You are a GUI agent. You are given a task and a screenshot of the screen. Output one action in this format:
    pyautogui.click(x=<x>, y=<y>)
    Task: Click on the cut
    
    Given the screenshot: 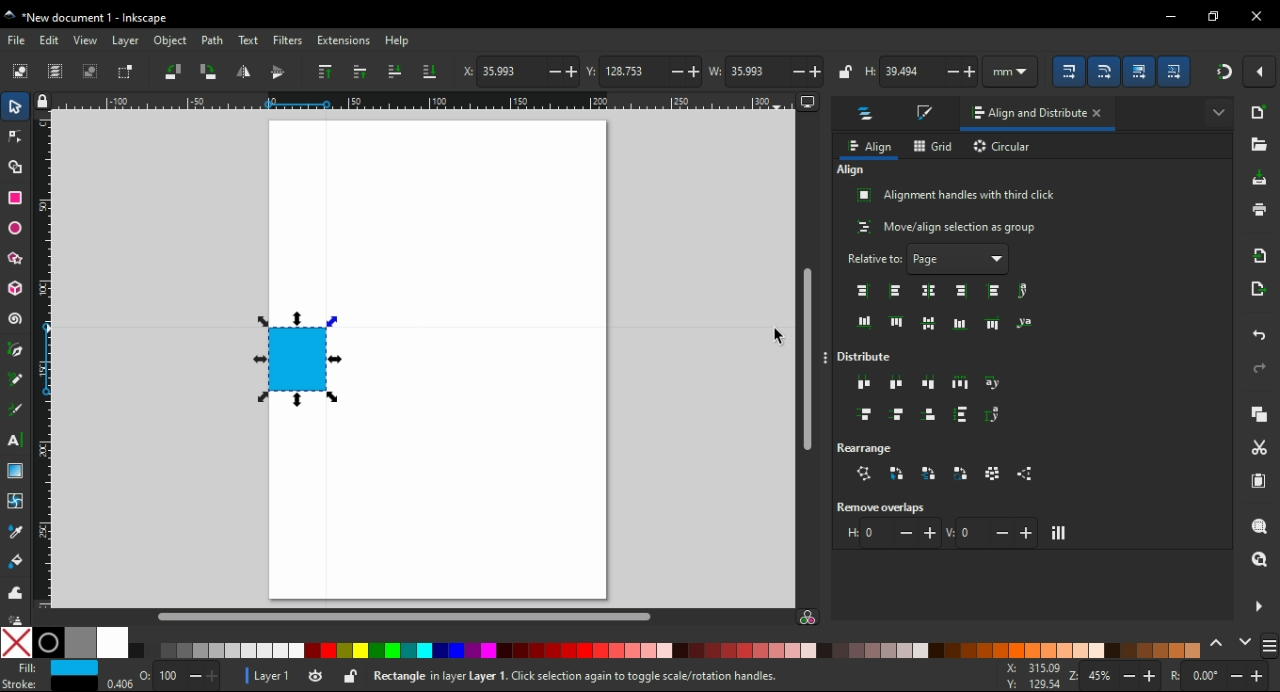 What is the action you would take?
    pyautogui.click(x=1259, y=446)
    